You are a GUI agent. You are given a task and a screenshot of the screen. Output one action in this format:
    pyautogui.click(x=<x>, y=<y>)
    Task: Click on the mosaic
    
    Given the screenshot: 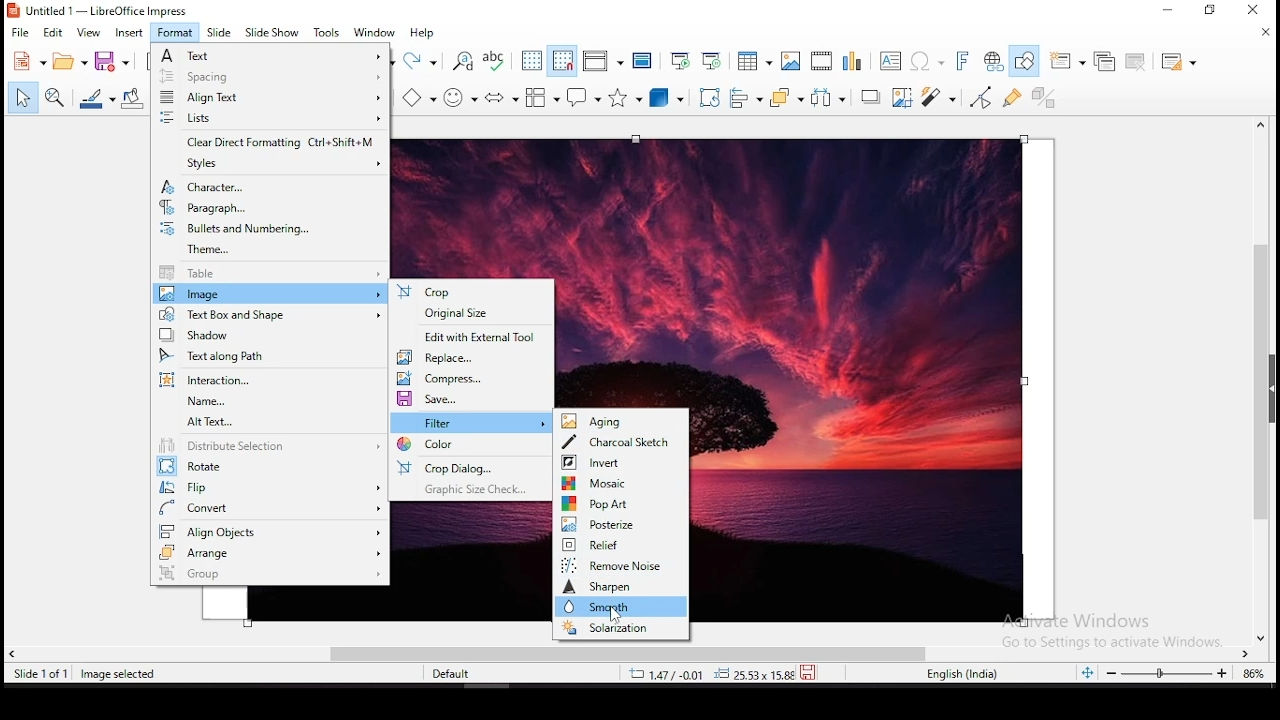 What is the action you would take?
    pyautogui.click(x=620, y=484)
    